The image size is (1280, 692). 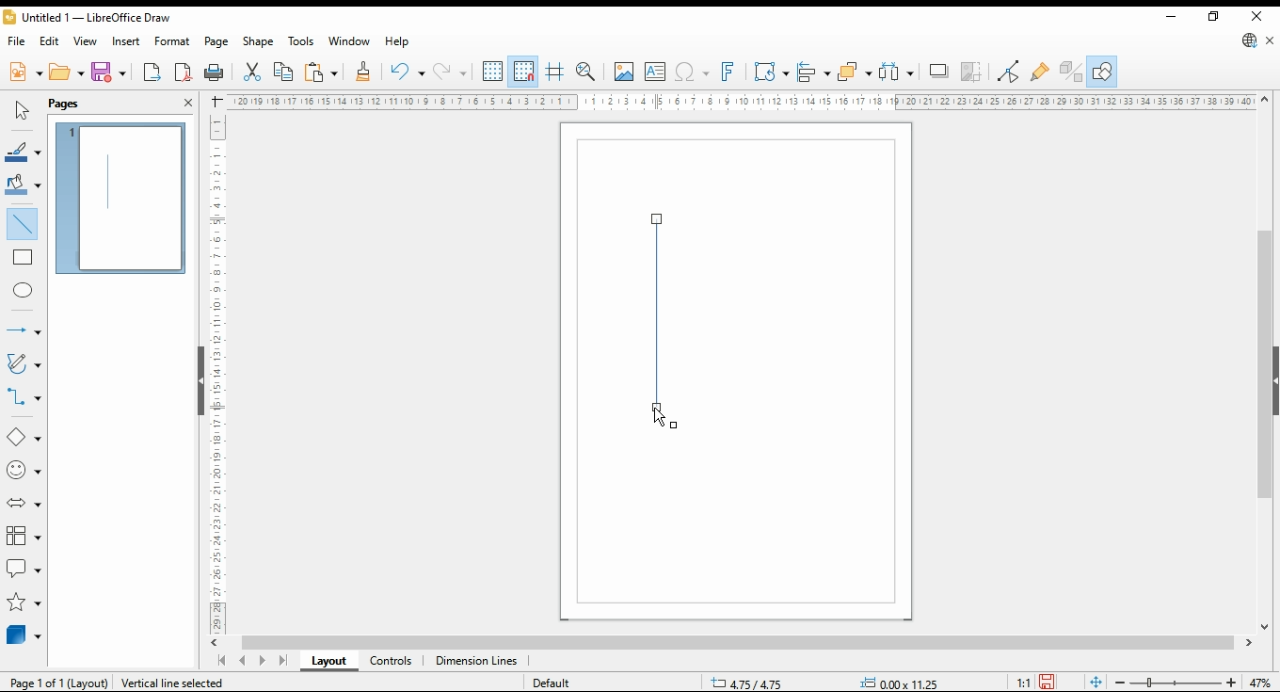 What do you see at coordinates (24, 397) in the screenshot?
I see `connectors` at bounding box center [24, 397].